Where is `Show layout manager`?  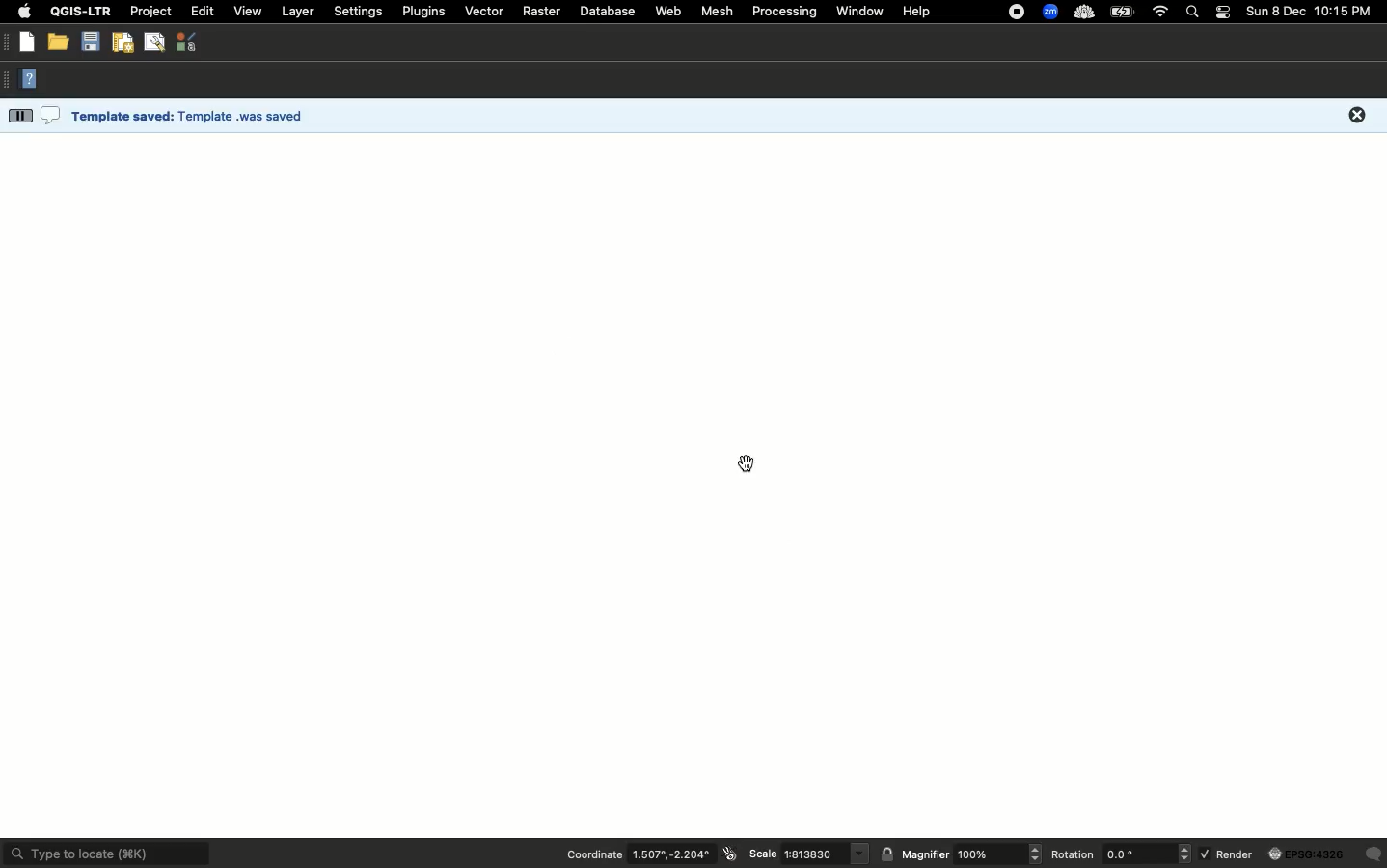
Show layout manager is located at coordinates (153, 43).